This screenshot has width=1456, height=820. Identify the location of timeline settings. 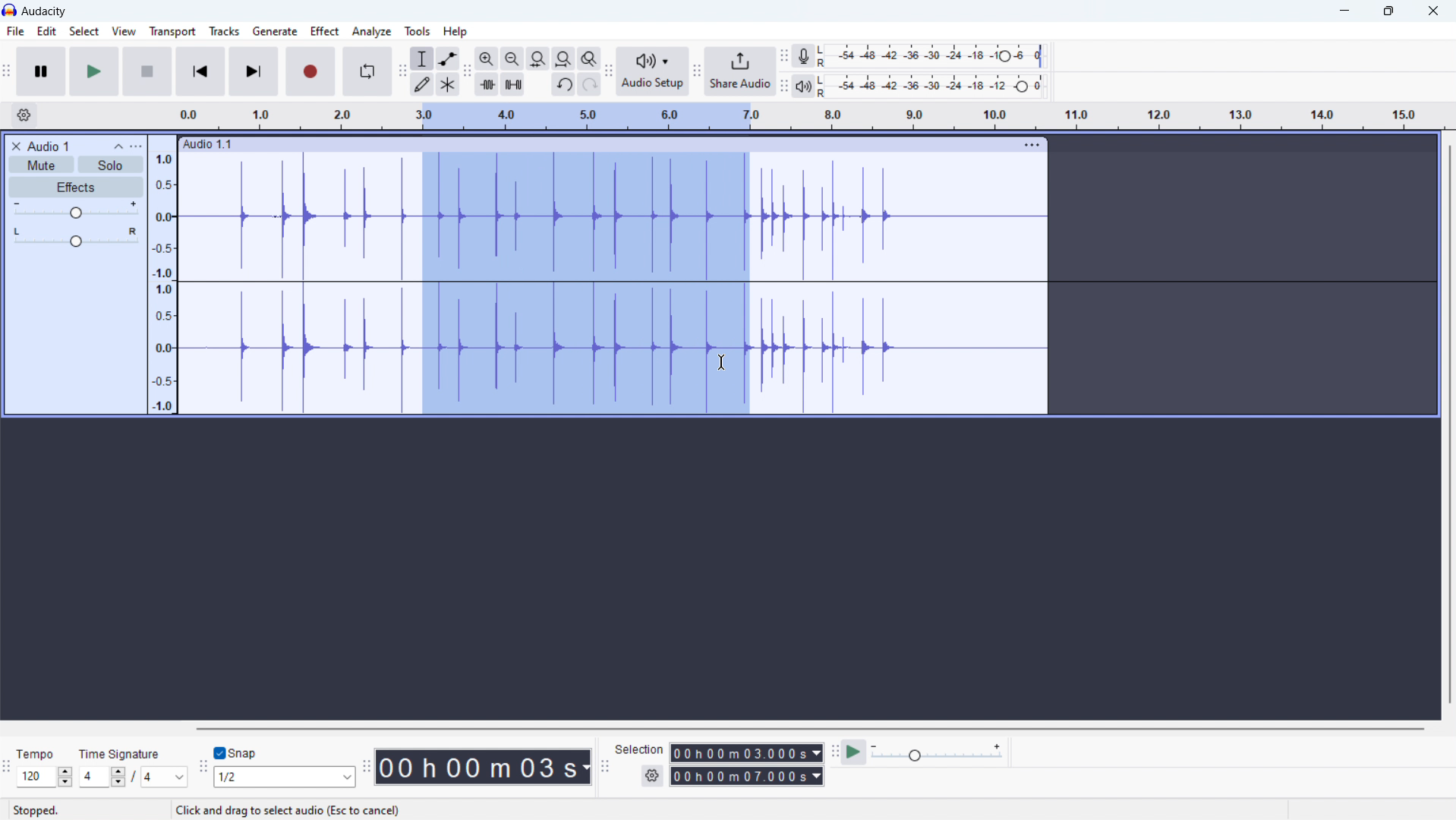
(24, 115).